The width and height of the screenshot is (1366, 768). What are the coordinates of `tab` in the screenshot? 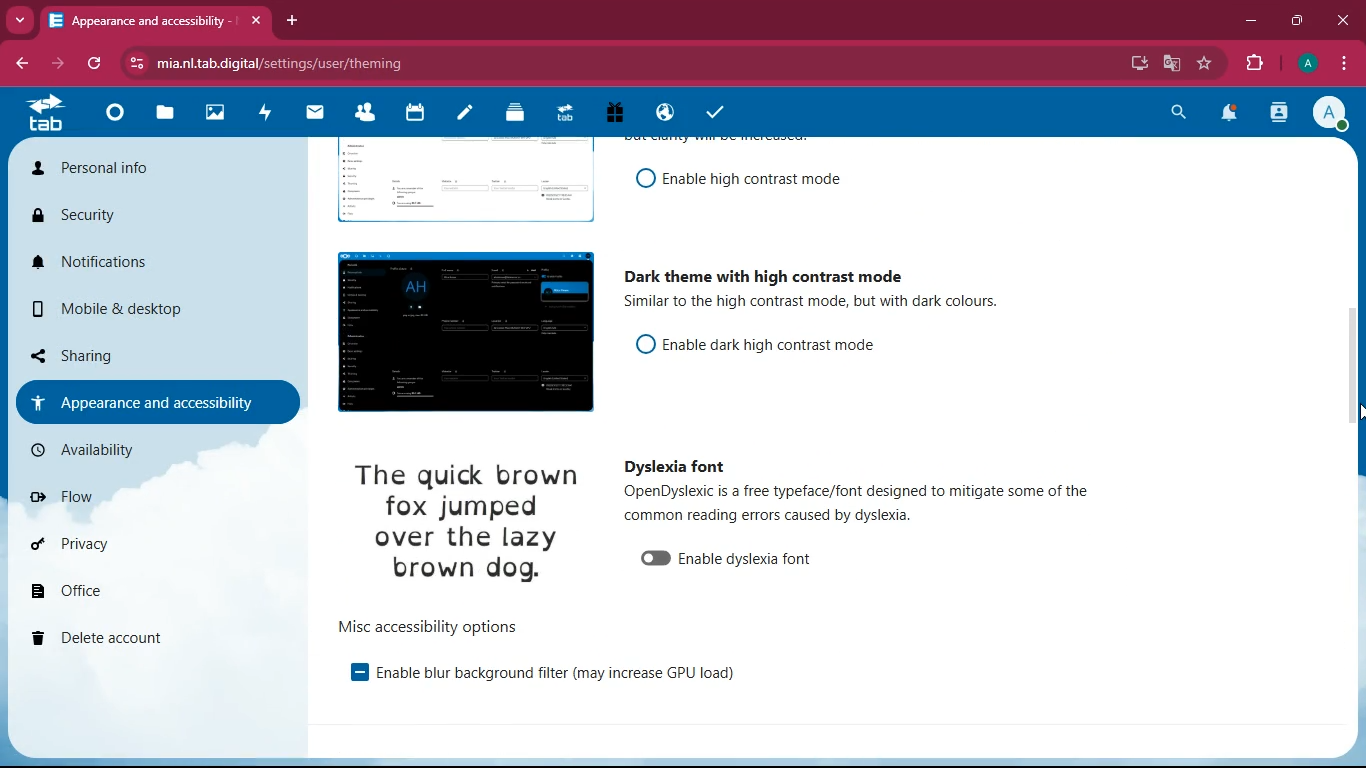 It's located at (140, 20).